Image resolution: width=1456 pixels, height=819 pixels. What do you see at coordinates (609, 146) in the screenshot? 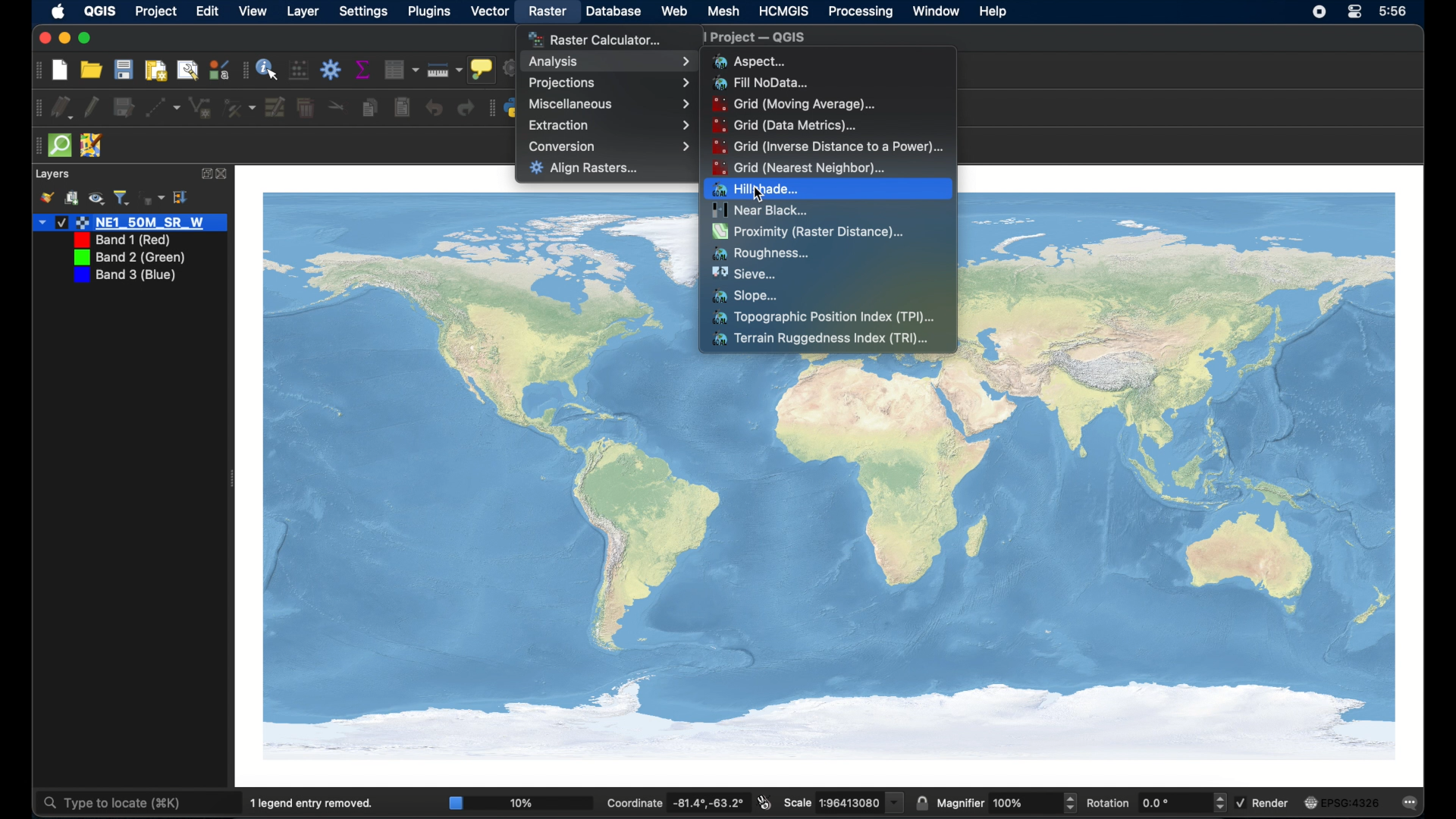
I see `conversion menu` at bounding box center [609, 146].